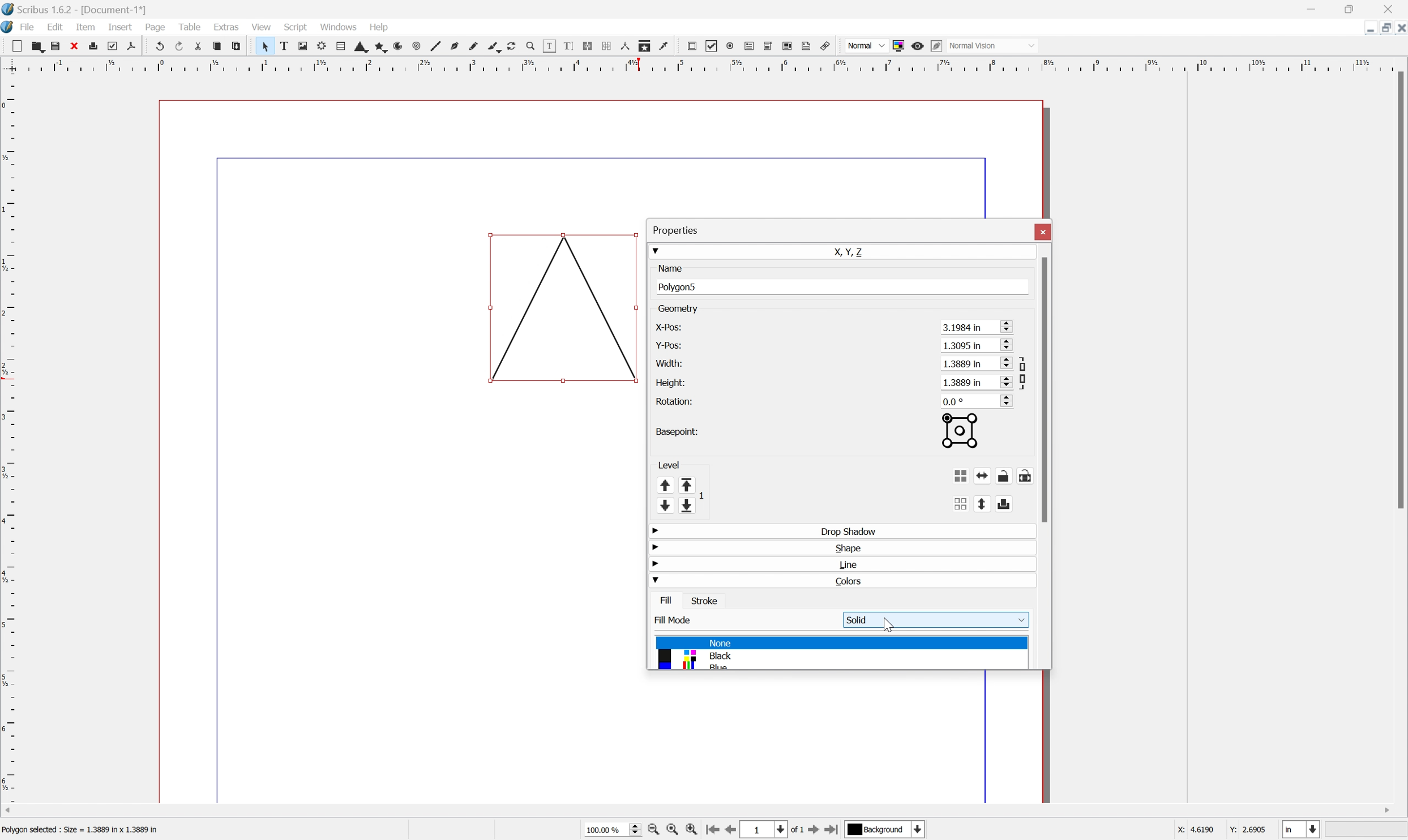 This screenshot has width=1408, height=840. What do you see at coordinates (854, 564) in the screenshot?
I see `Line` at bounding box center [854, 564].